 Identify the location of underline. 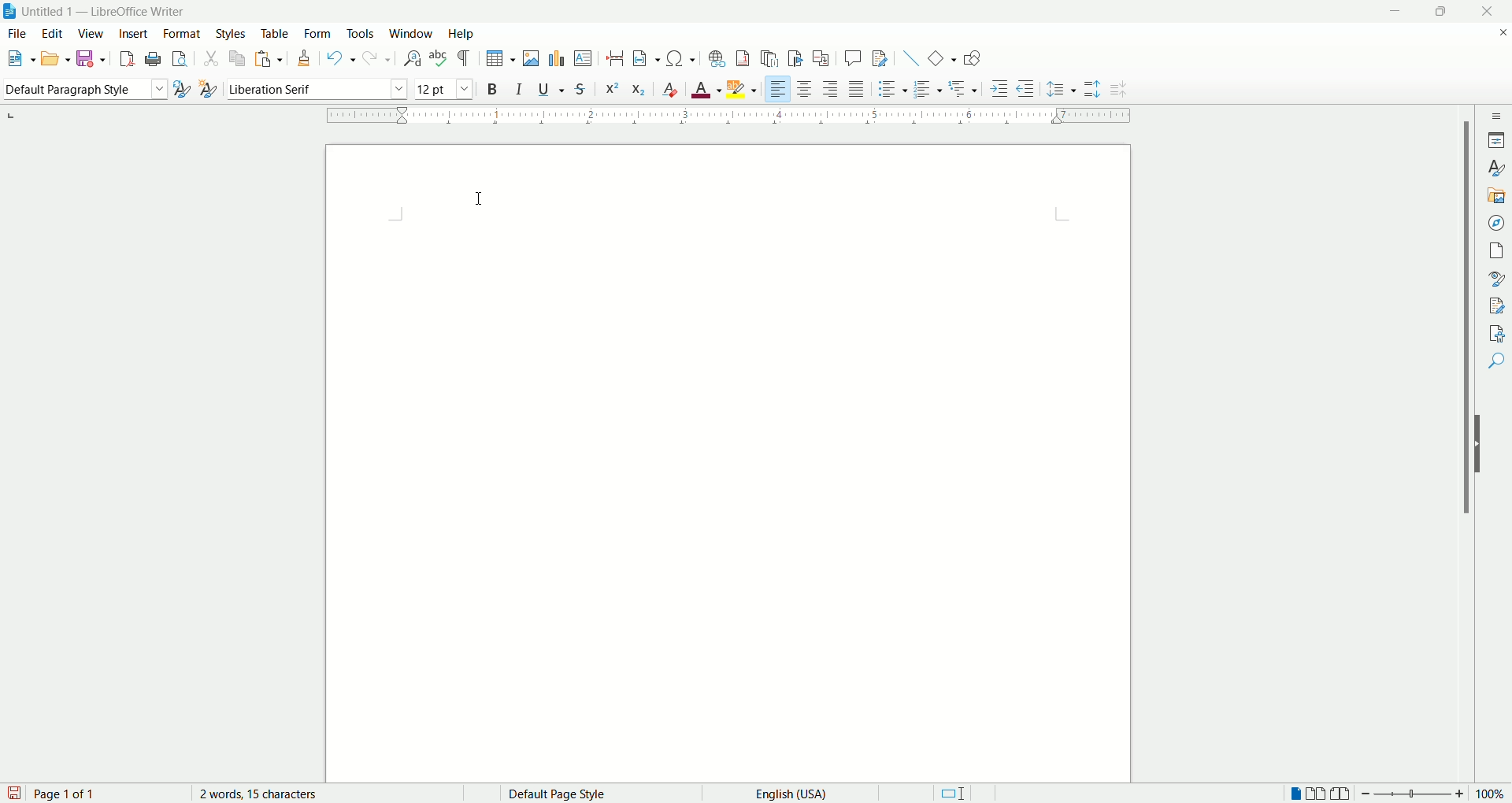
(549, 91).